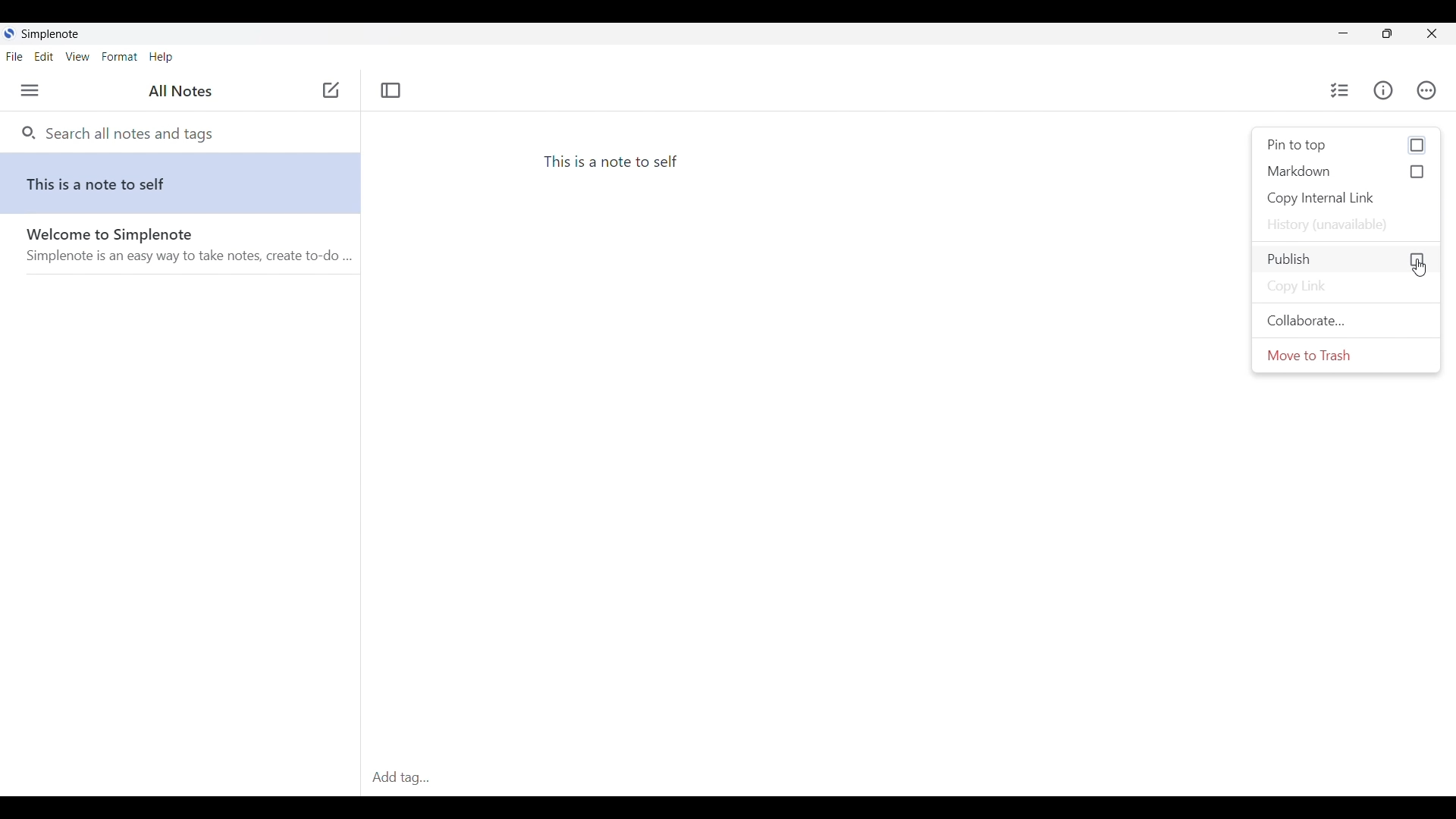 This screenshot has width=1456, height=819. Describe the element at coordinates (1383, 90) in the screenshot. I see `Info` at that location.